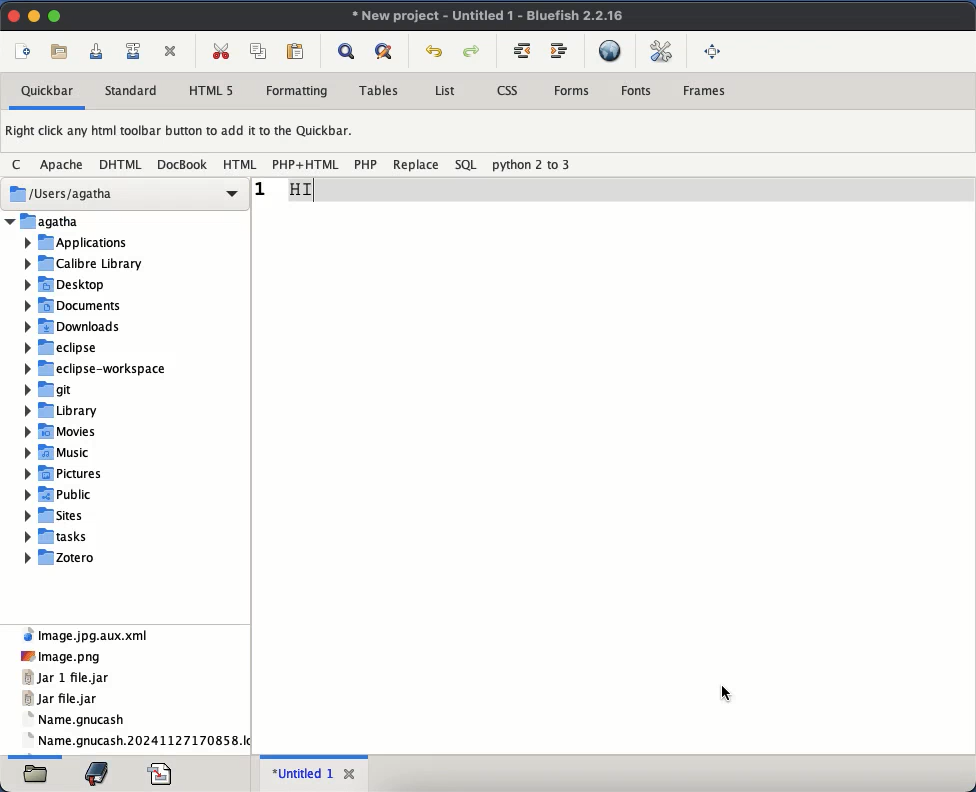 The image size is (976, 792). What do you see at coordinates (385, 50) in the screenshot?
I see `advanced find and replace` at bounding box center [385, 50].